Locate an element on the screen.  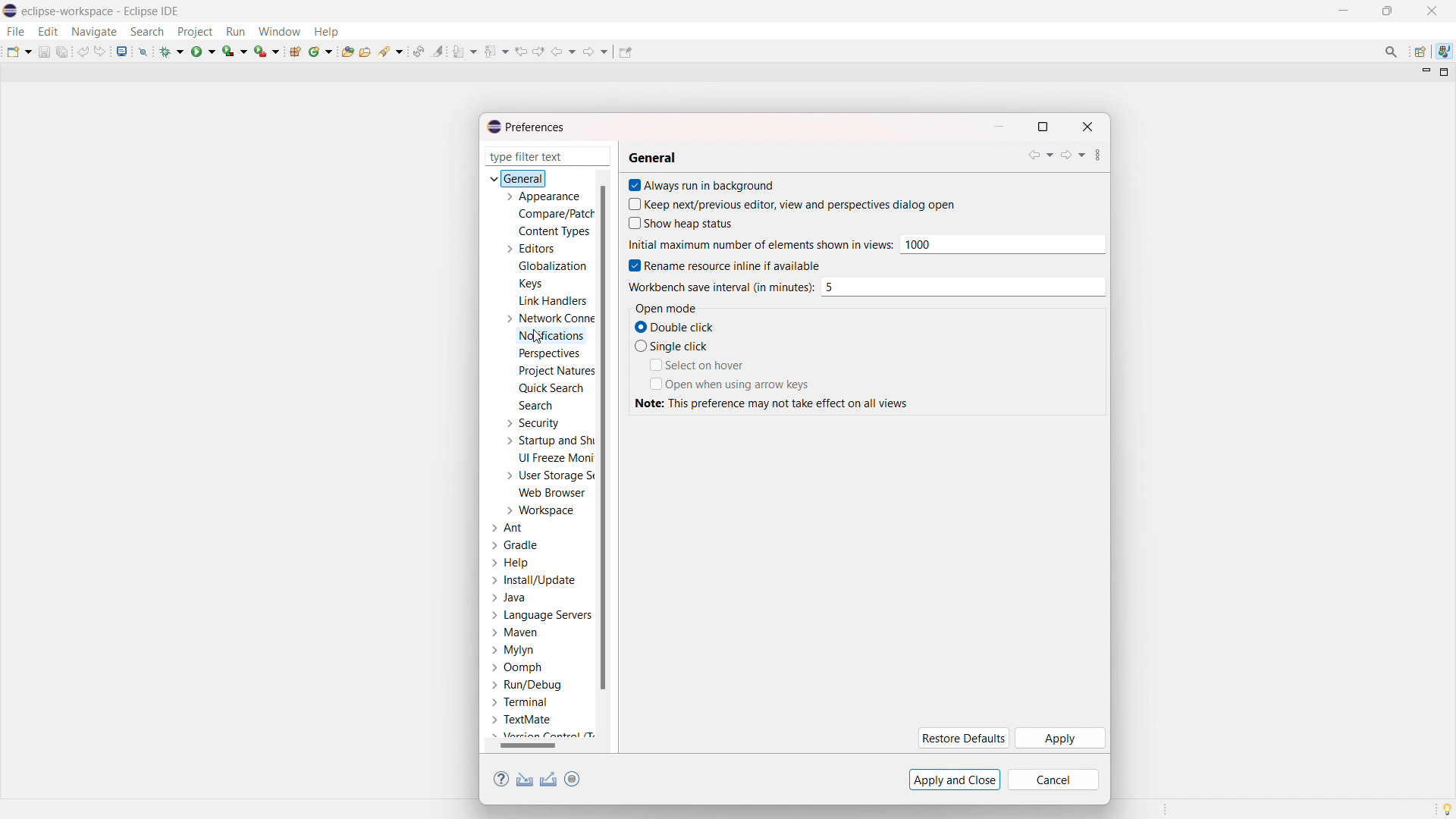
appearance is located at coordinates (541, 196).